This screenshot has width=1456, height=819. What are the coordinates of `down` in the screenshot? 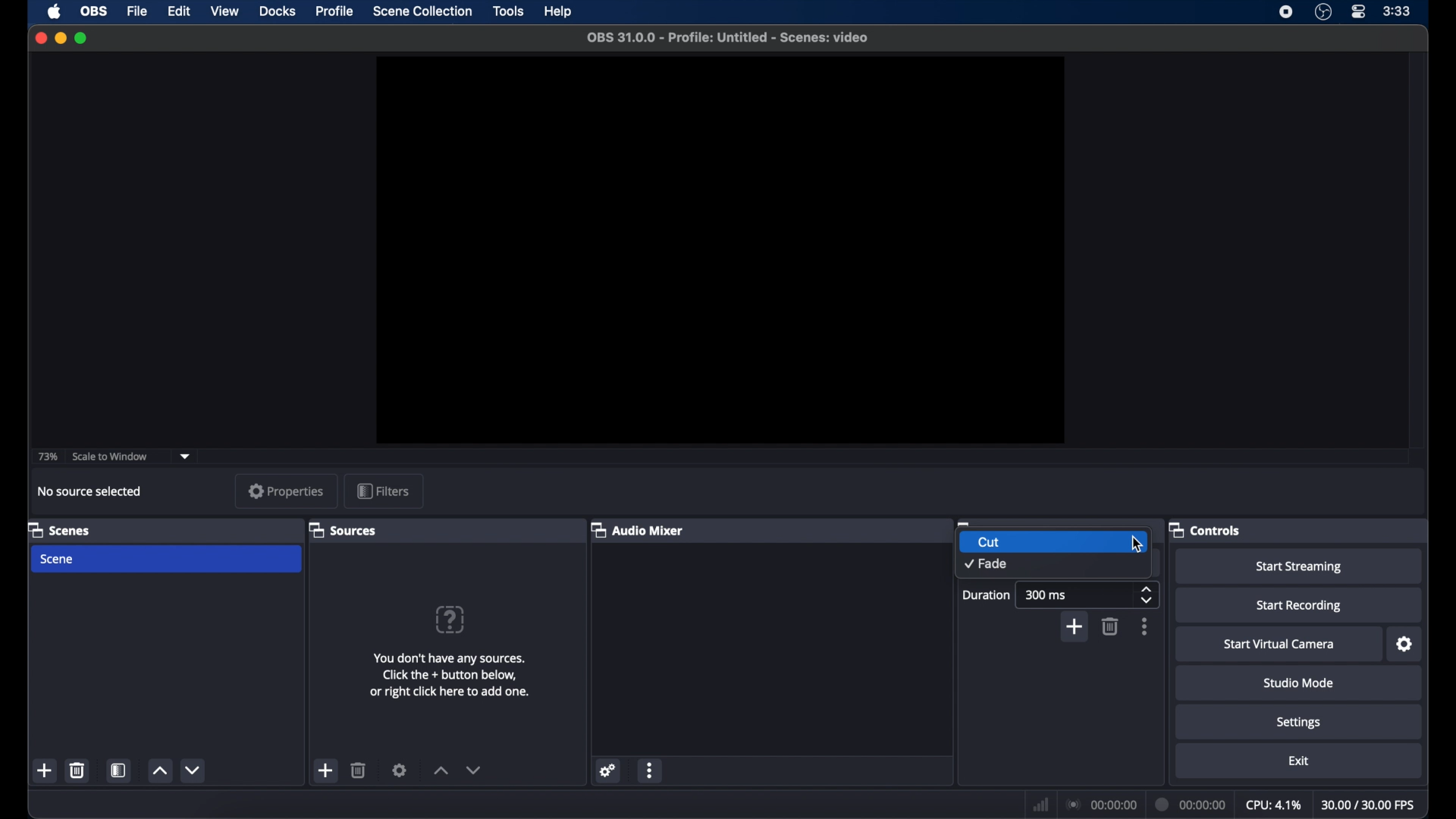 It's located at (193, 770).